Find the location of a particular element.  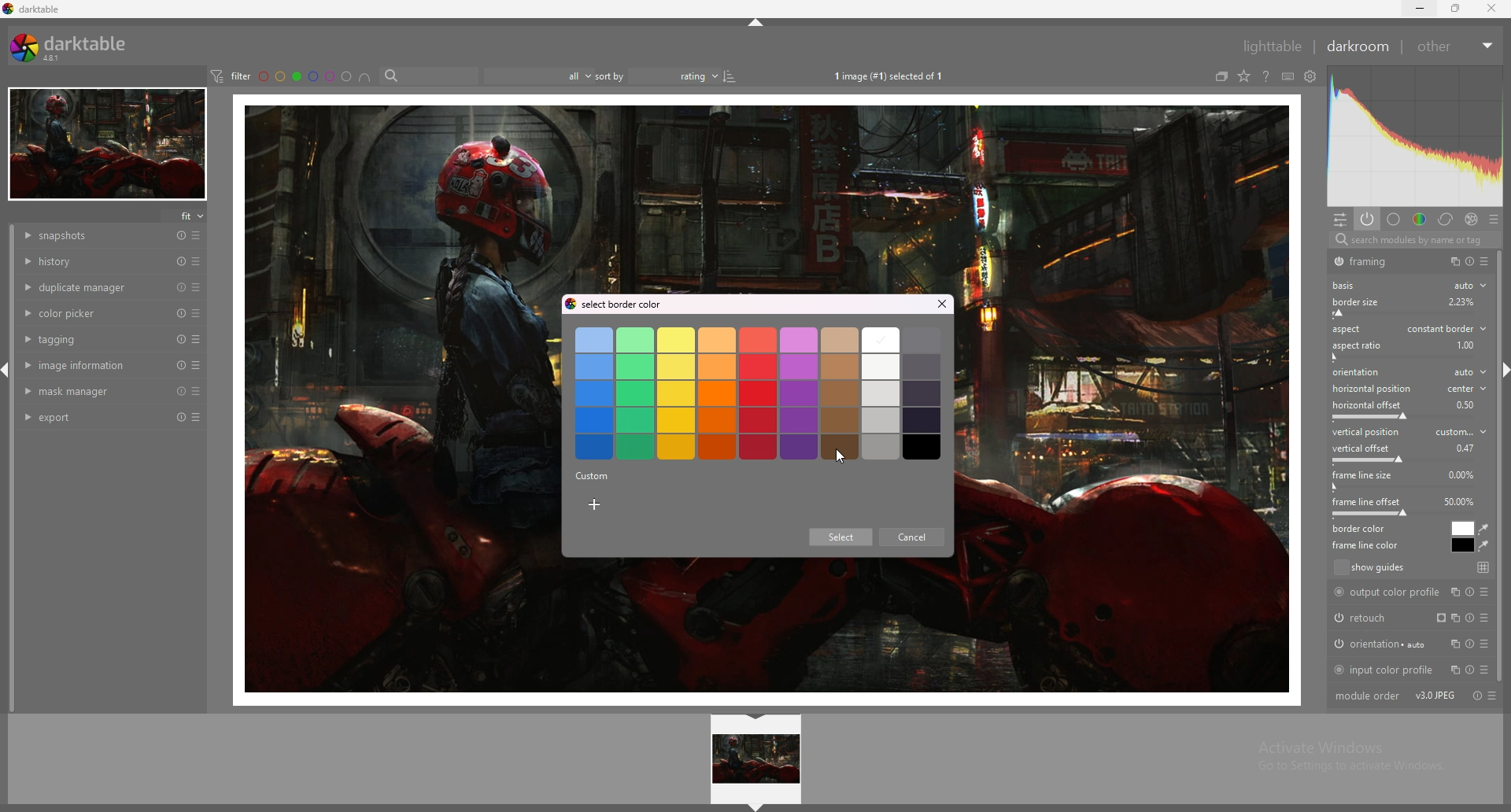

see global preferences is located at coordinates (1310, 76).